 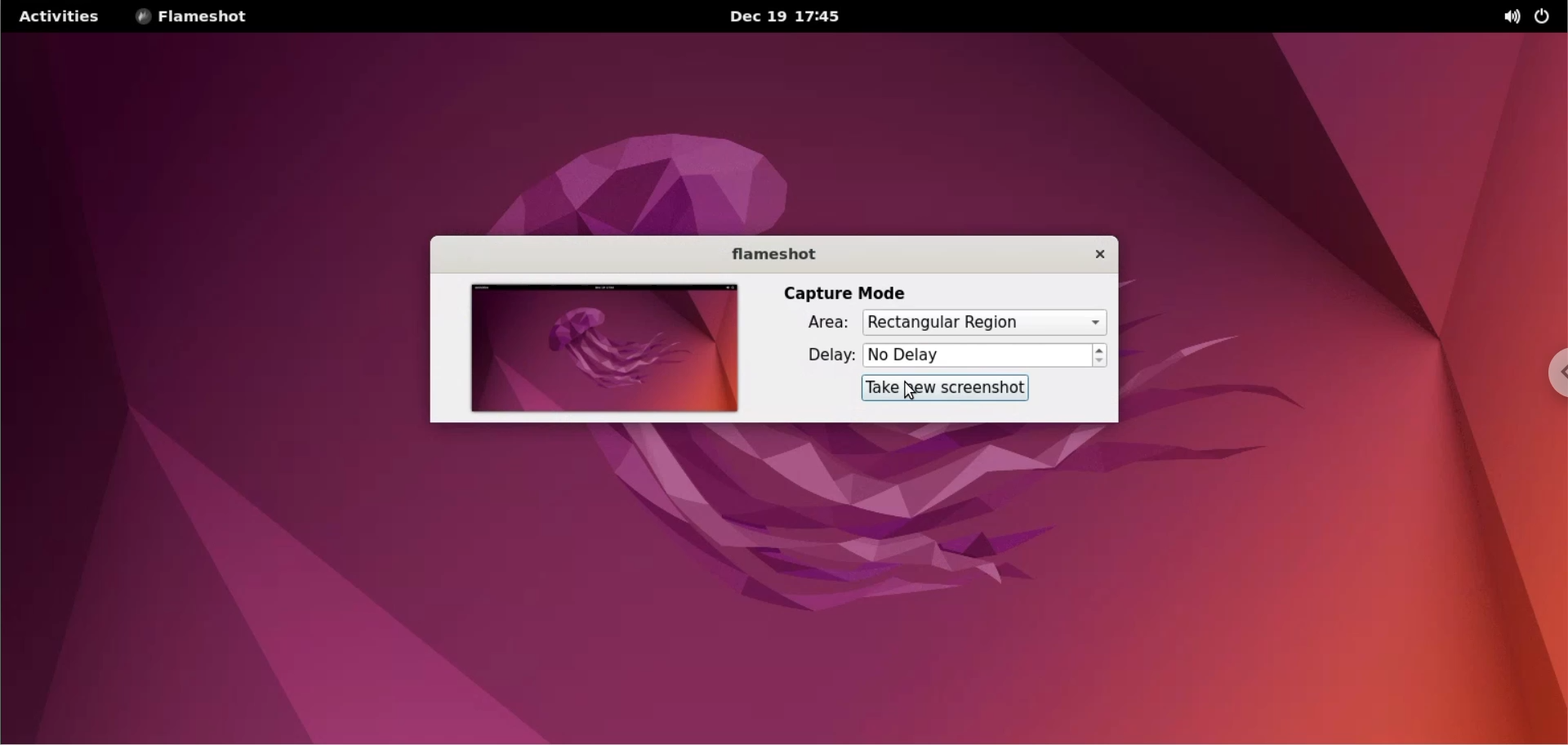 What do you see at coordinates (604, 350) in the screenshot?
I see `screenshot preview` at bounding box center [604, 350].